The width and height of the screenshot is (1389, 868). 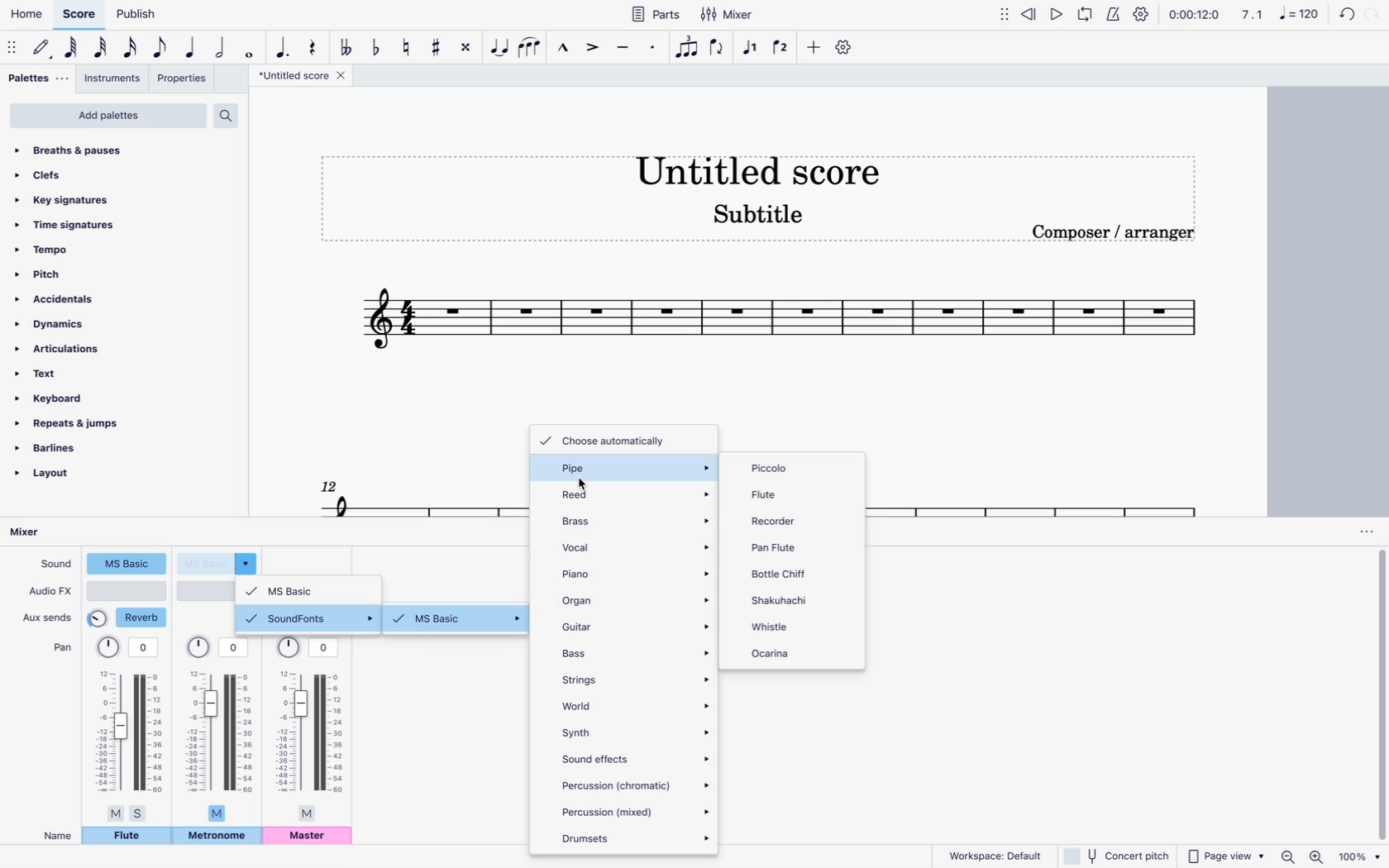 I want to click on 64th note, so click(x=71, y=50).